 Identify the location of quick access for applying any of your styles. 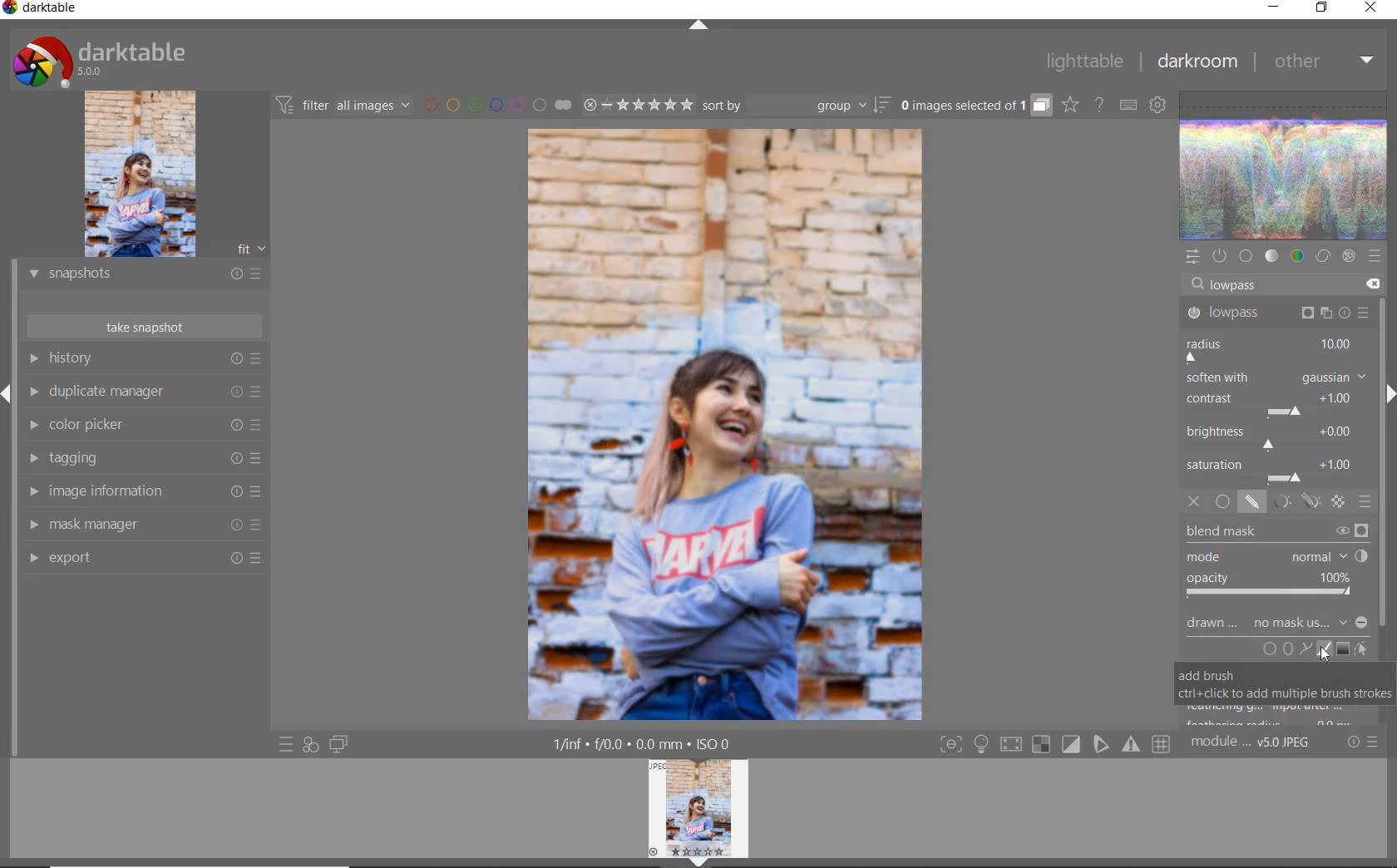
(311, 744).